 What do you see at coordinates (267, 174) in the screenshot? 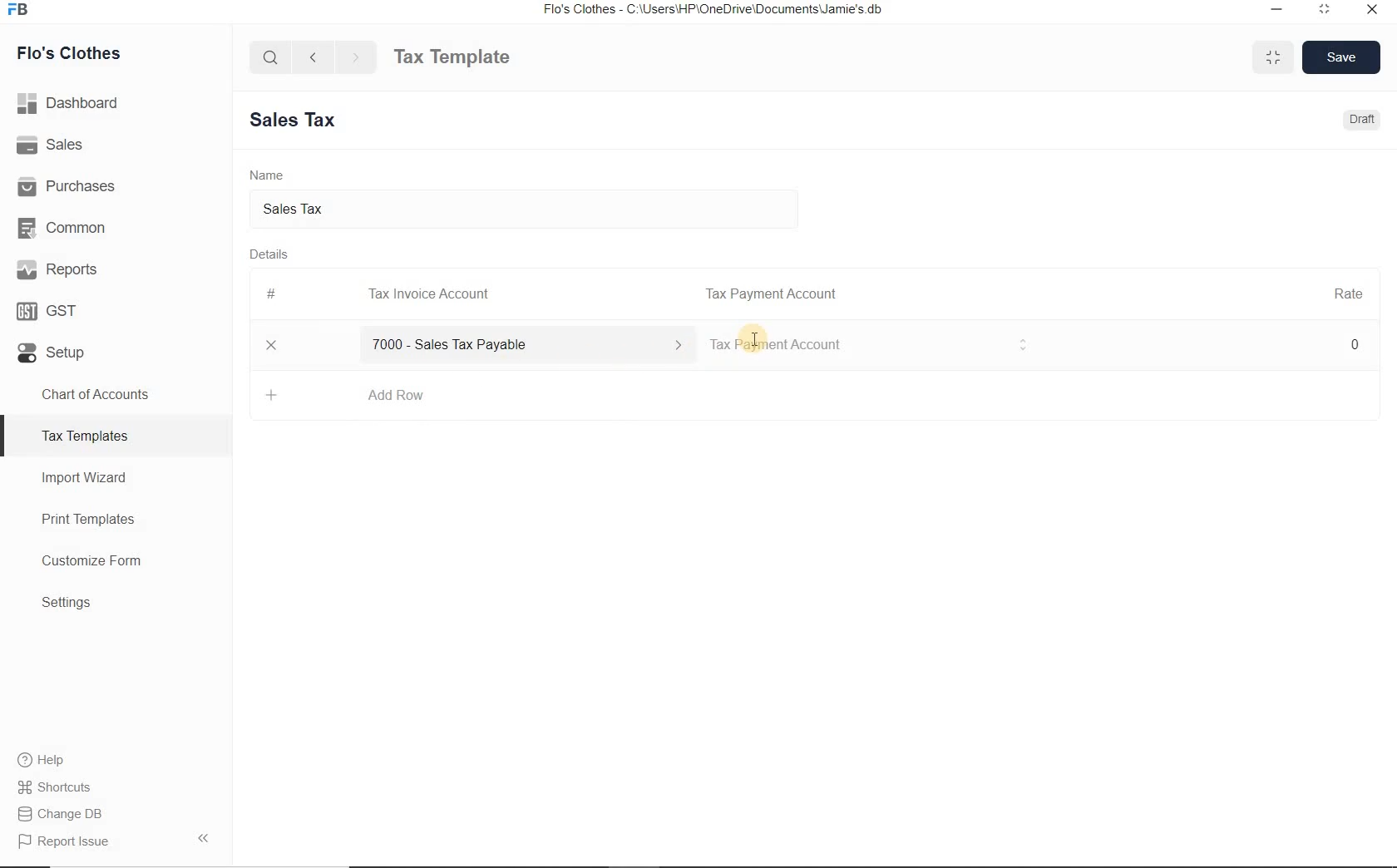
I see `Name` at bounding box center [267, 174].